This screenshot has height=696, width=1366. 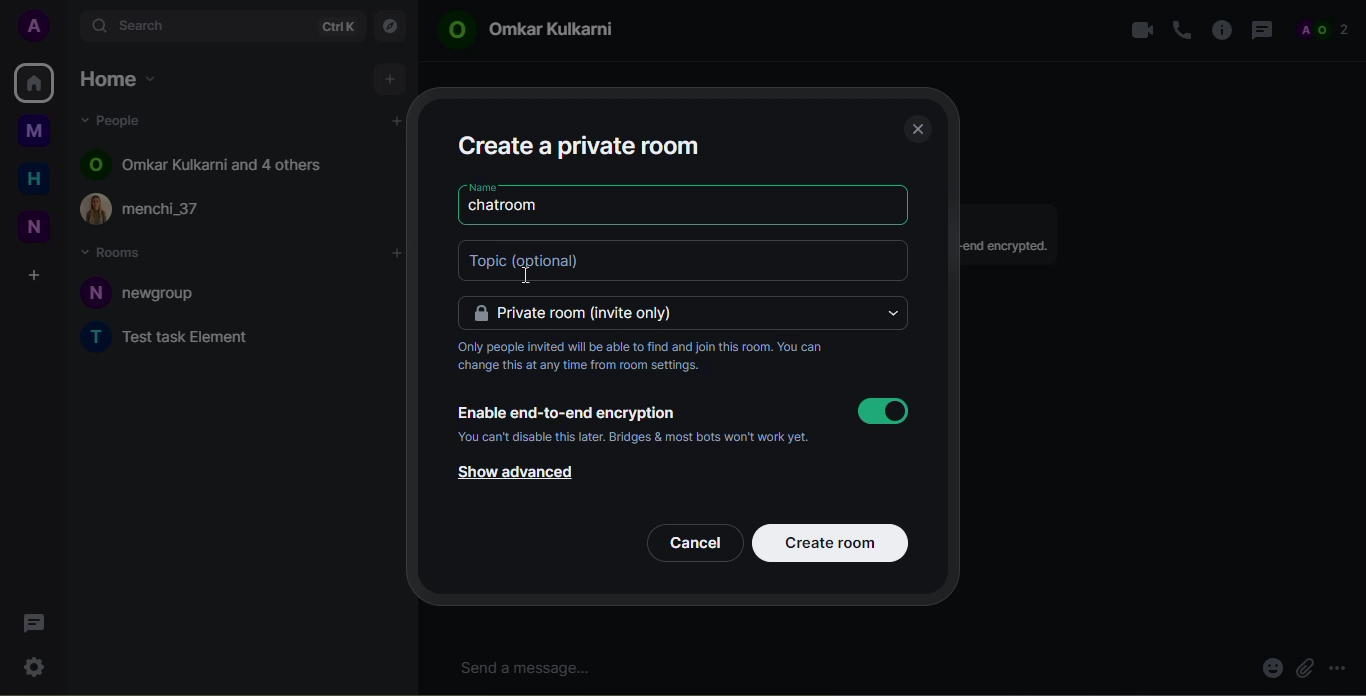 What do you see at coordinates (146, 24) in the screenshot?
I see `search` at bounding box center [146, 24].